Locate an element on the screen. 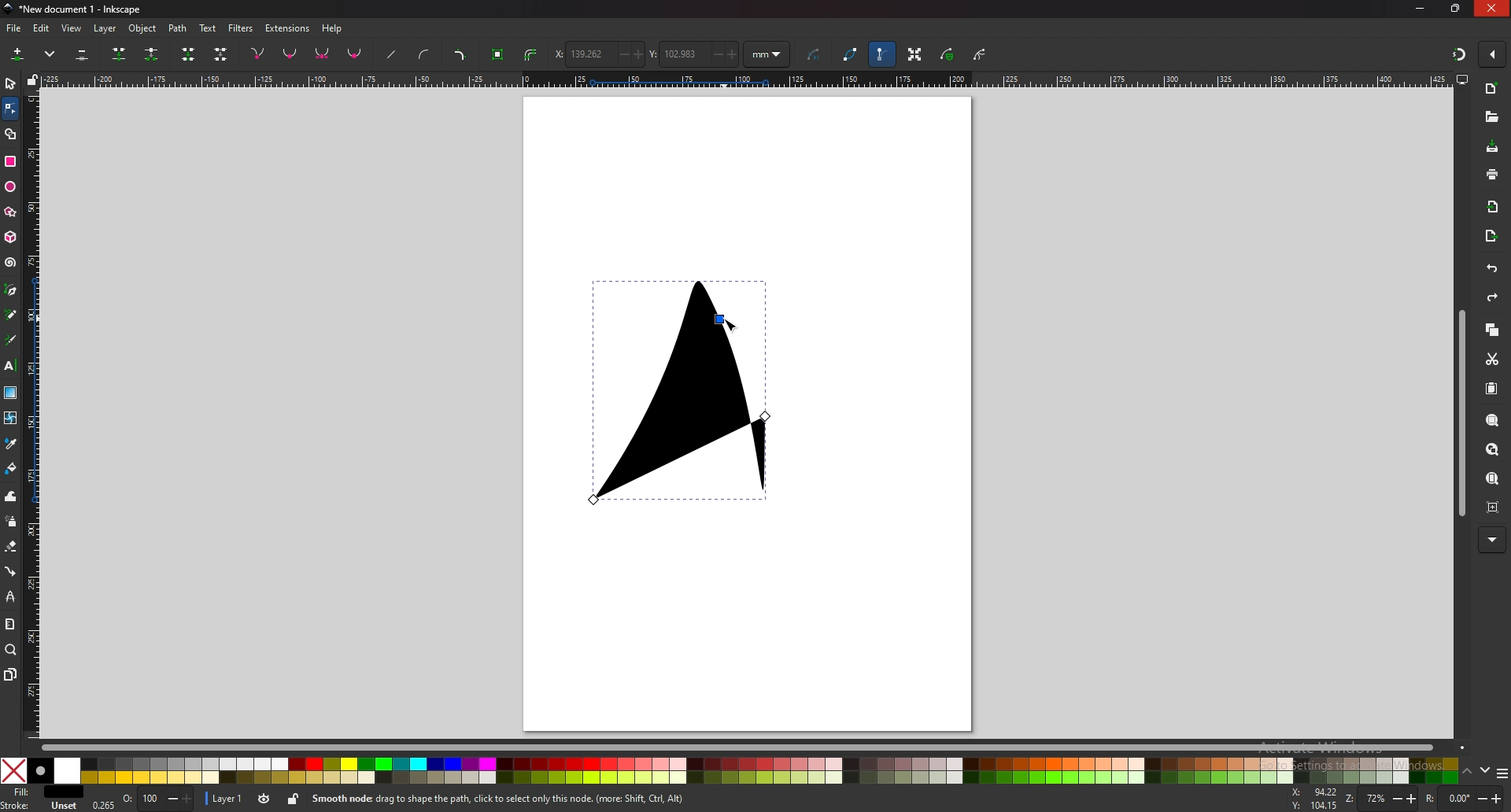  lock guides is located at coordinates (32, 79).